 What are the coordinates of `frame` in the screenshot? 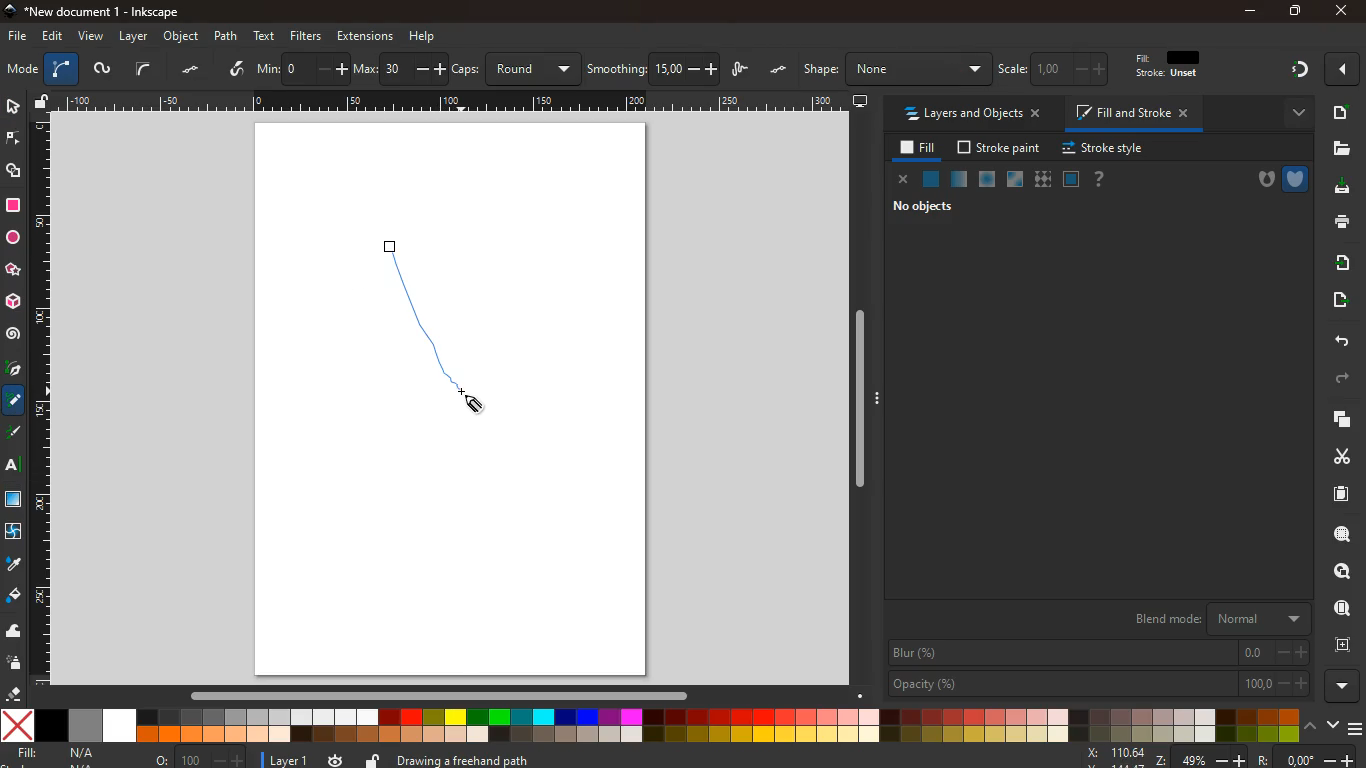 It's located at (1347, 645).